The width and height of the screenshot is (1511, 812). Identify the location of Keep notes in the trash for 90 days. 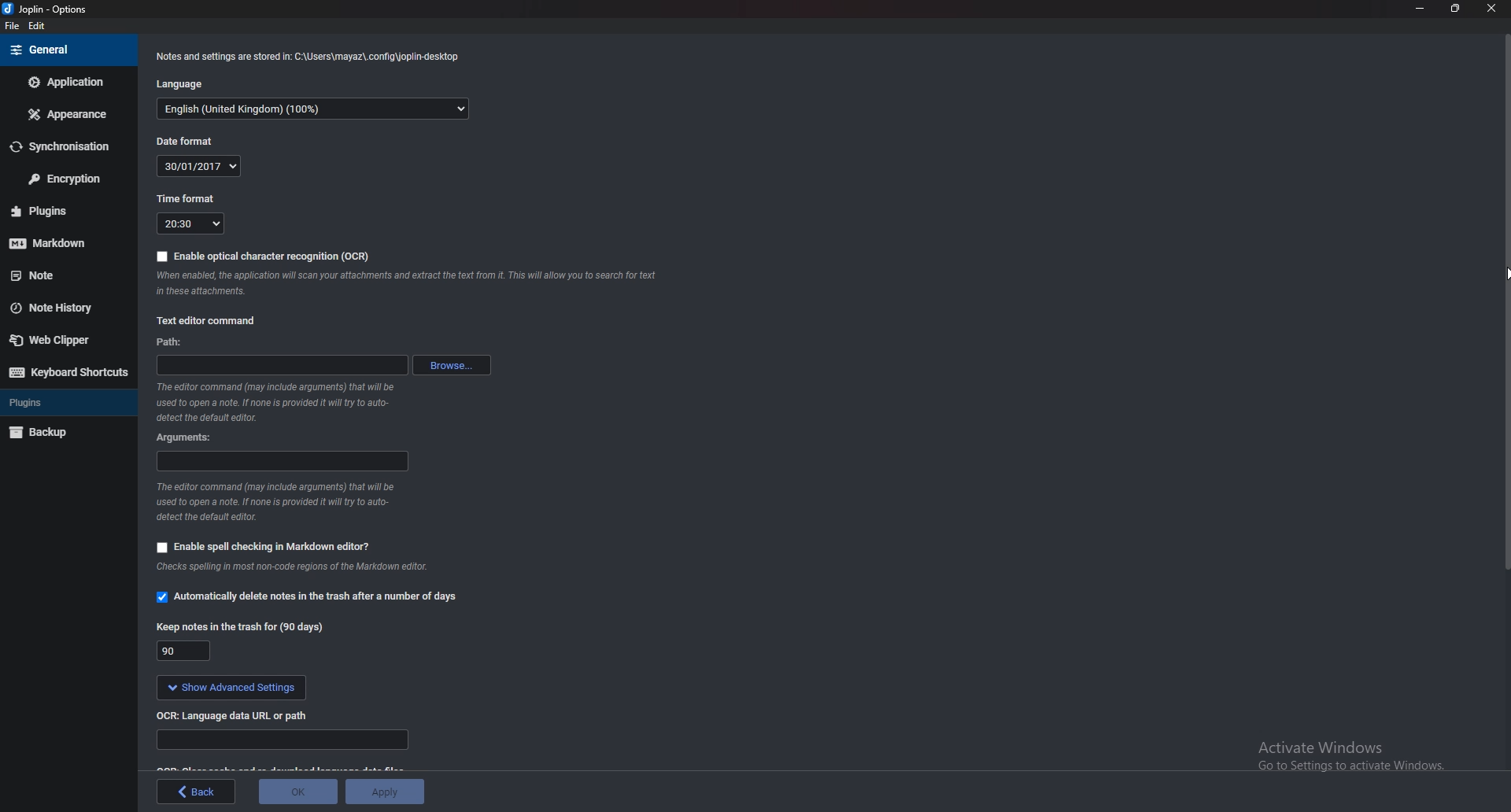
(242, 626).